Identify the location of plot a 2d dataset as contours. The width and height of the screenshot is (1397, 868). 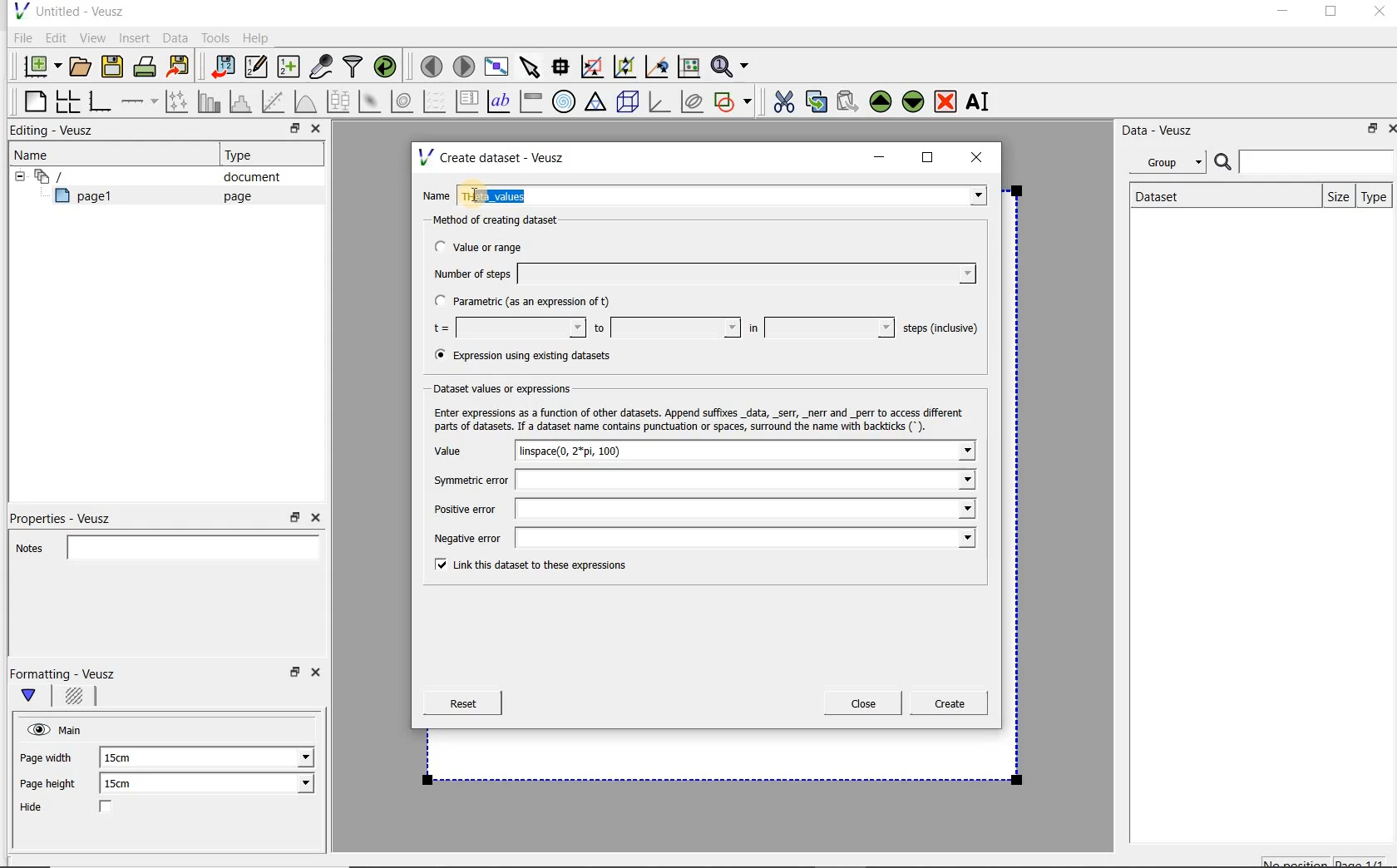
(403, 101).